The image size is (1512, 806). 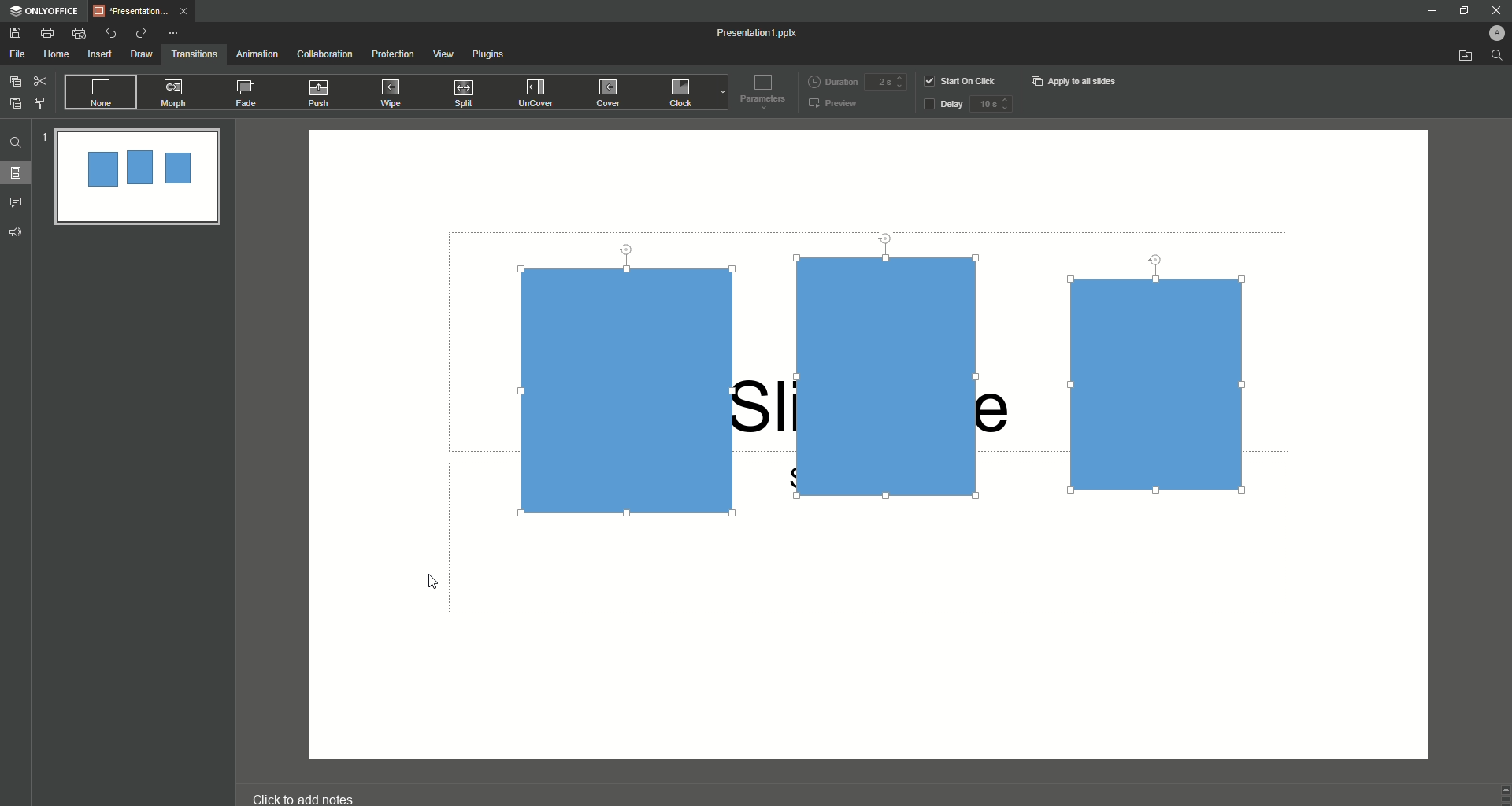 I want to click on Duration, so click(x=832, y=80).